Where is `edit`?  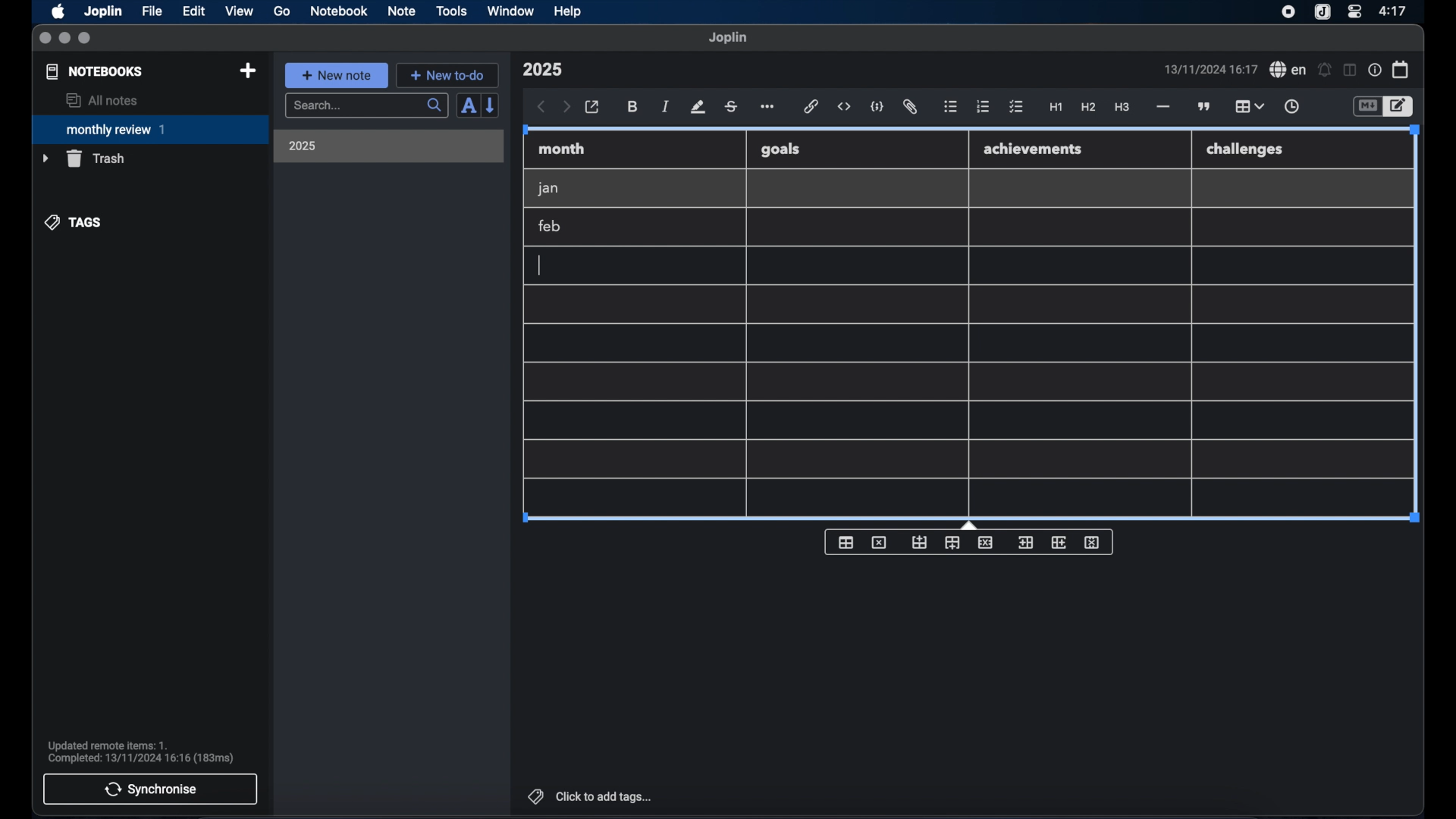
edit is located at coordinates (195, 11).